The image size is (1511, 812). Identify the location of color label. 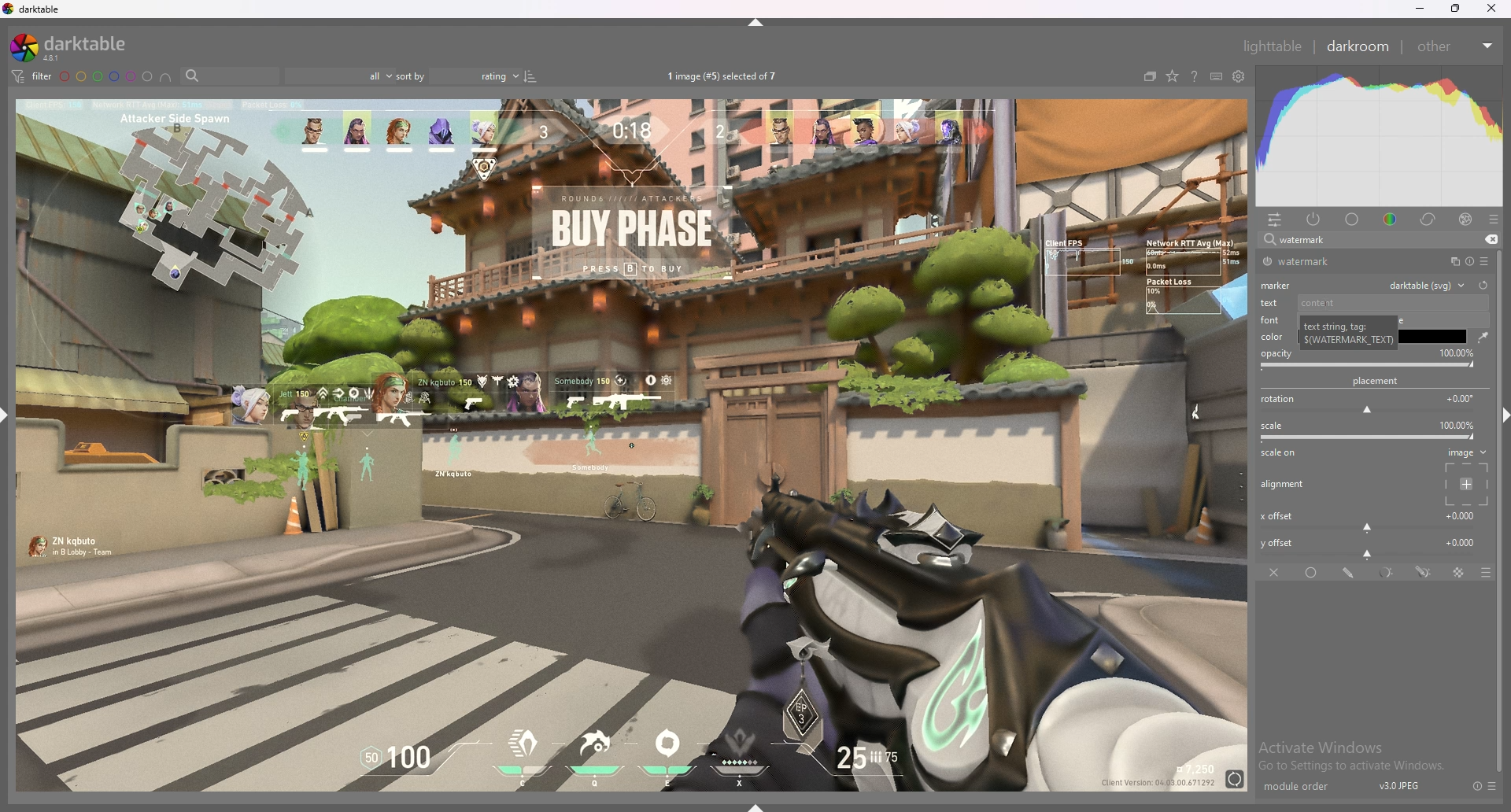
(107, 76).